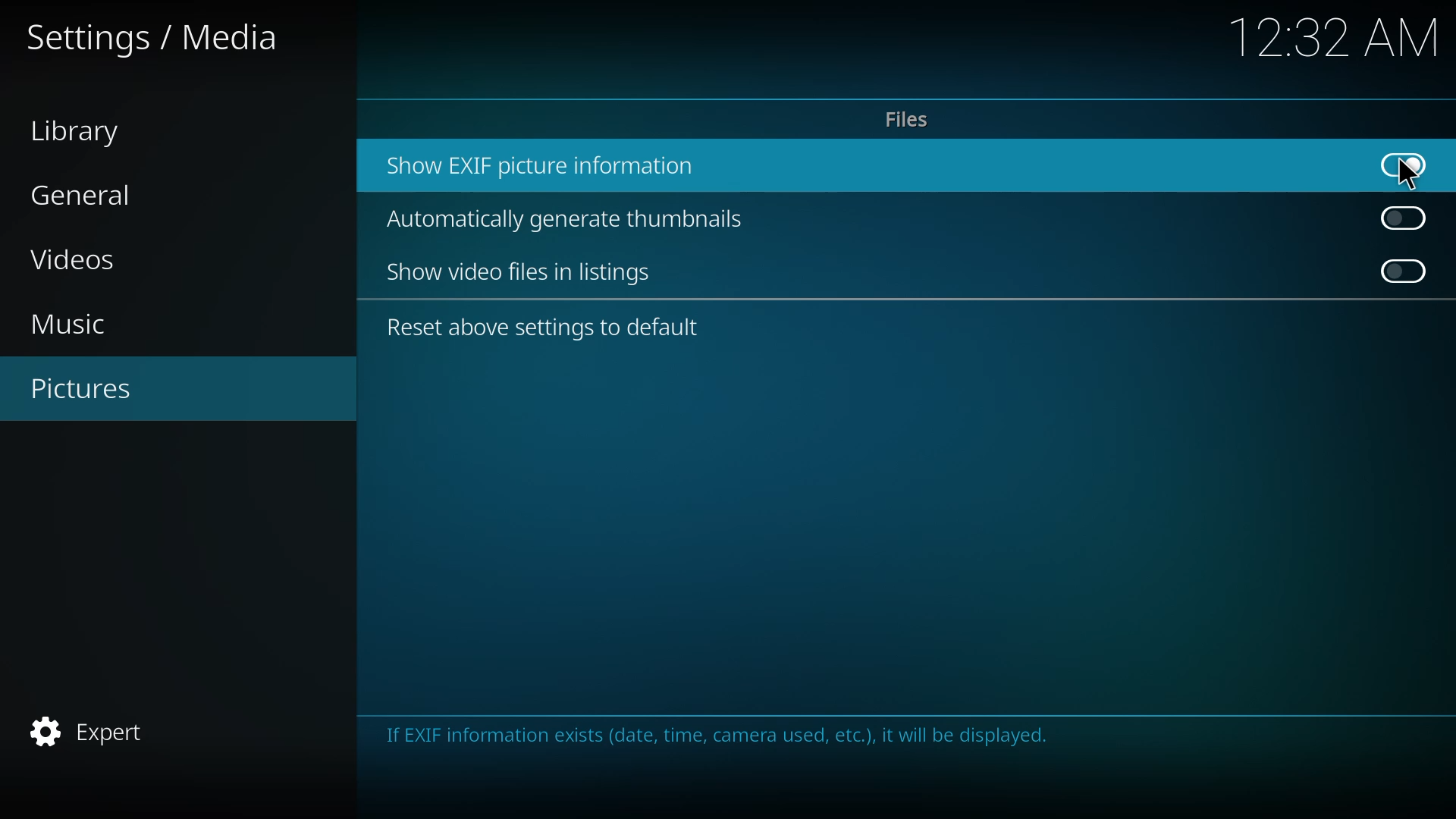 This screenshot has width=1456, height=819. Describe the element at coordinates (1406, 271) in the screenshot. I see `click to enable` at that location.